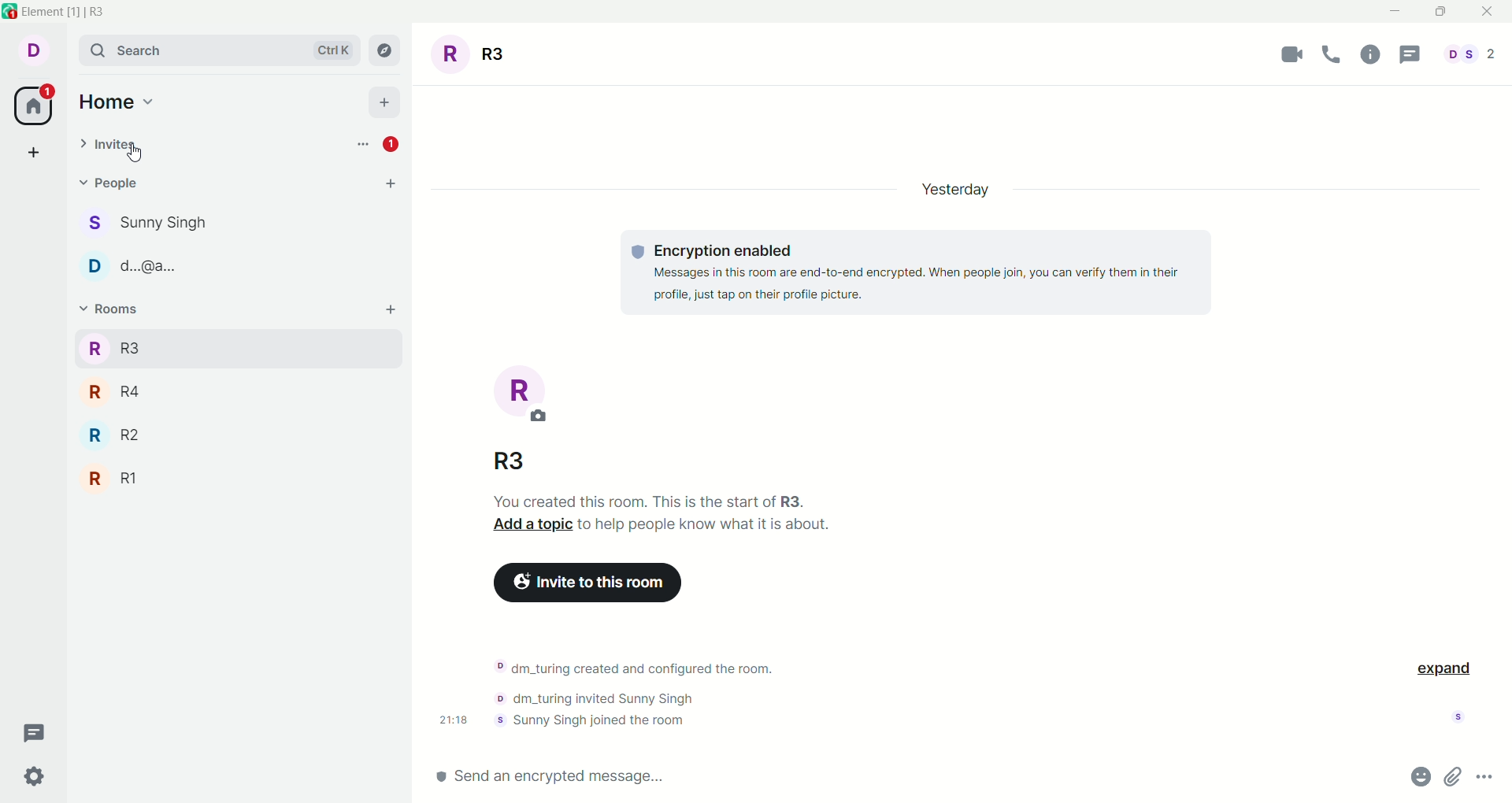  I want to click on text, so click(639, 500).